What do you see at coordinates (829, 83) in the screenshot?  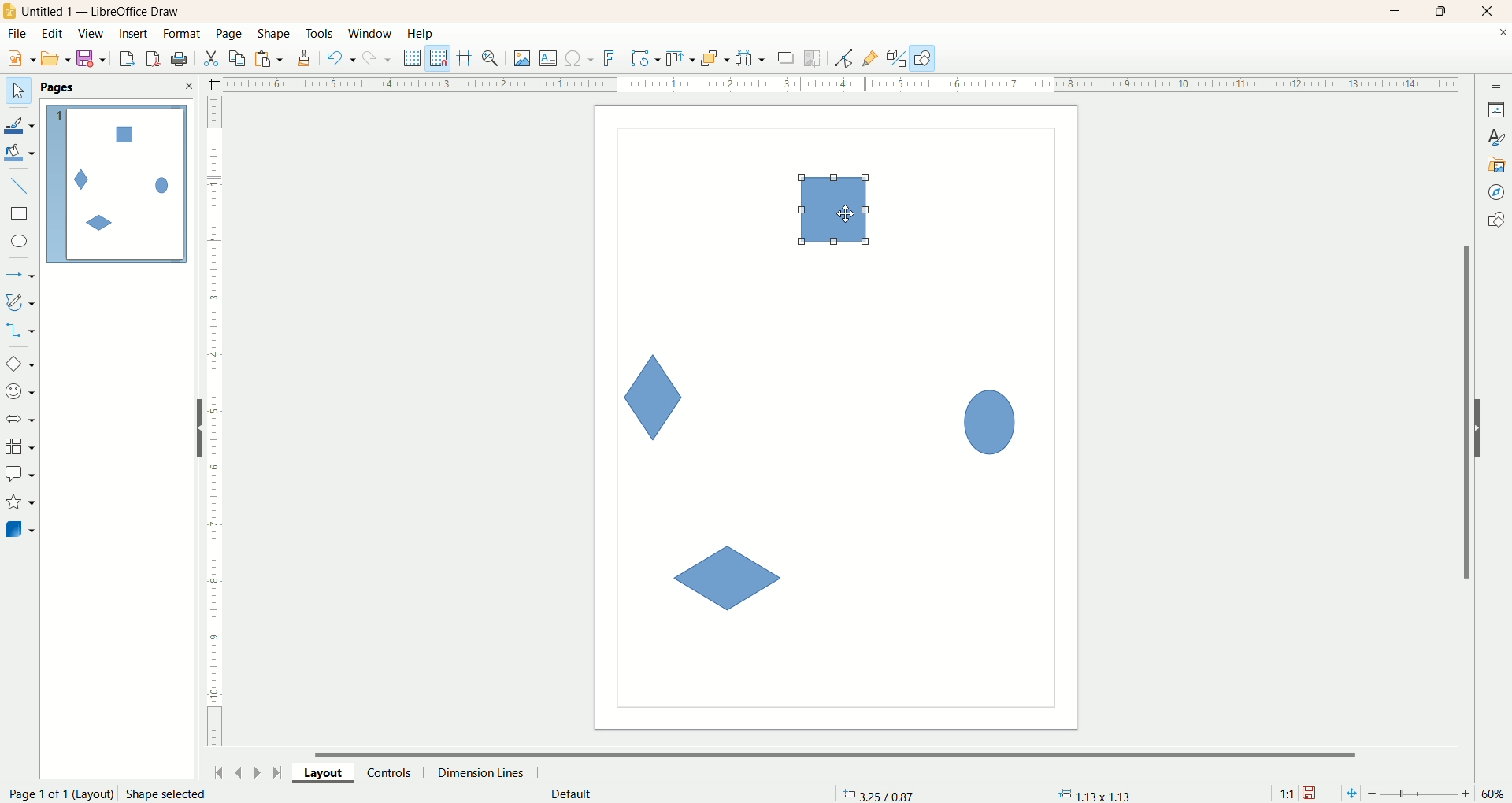 I see `scale bar` at bounding box center [829, 83].